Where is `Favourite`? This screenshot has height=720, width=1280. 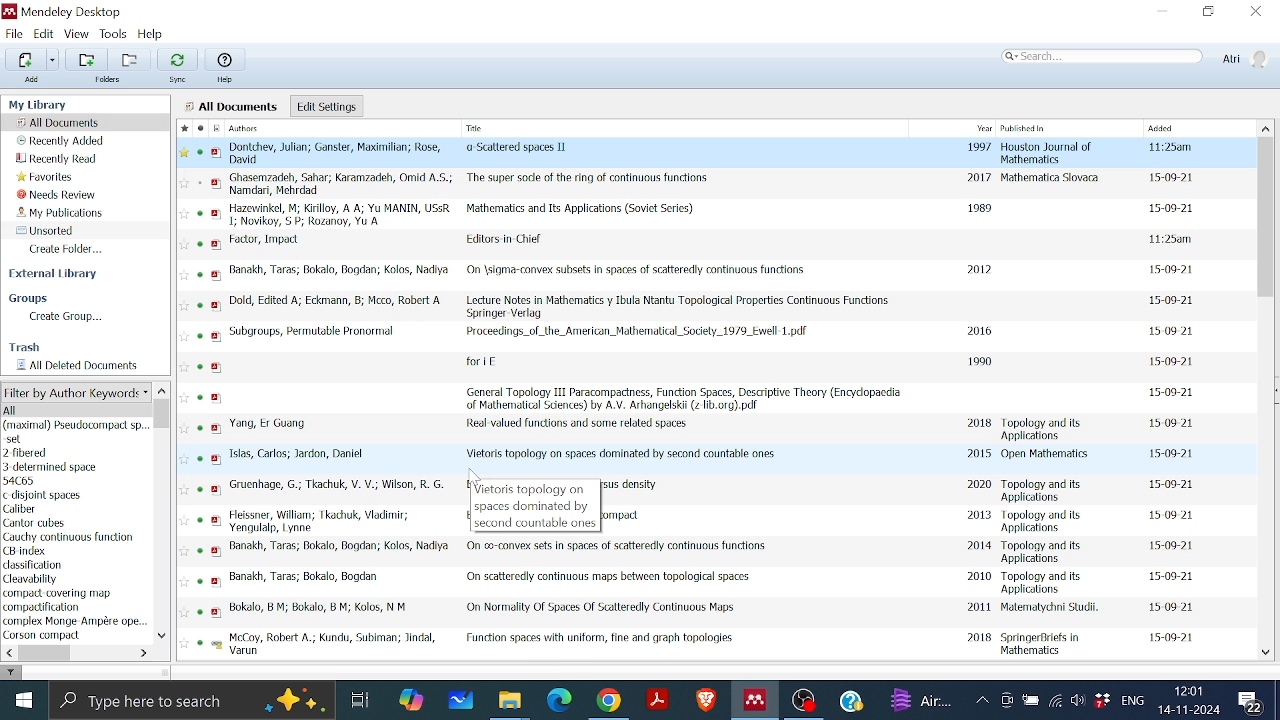
Favourite is located at coordinates (184, 583).